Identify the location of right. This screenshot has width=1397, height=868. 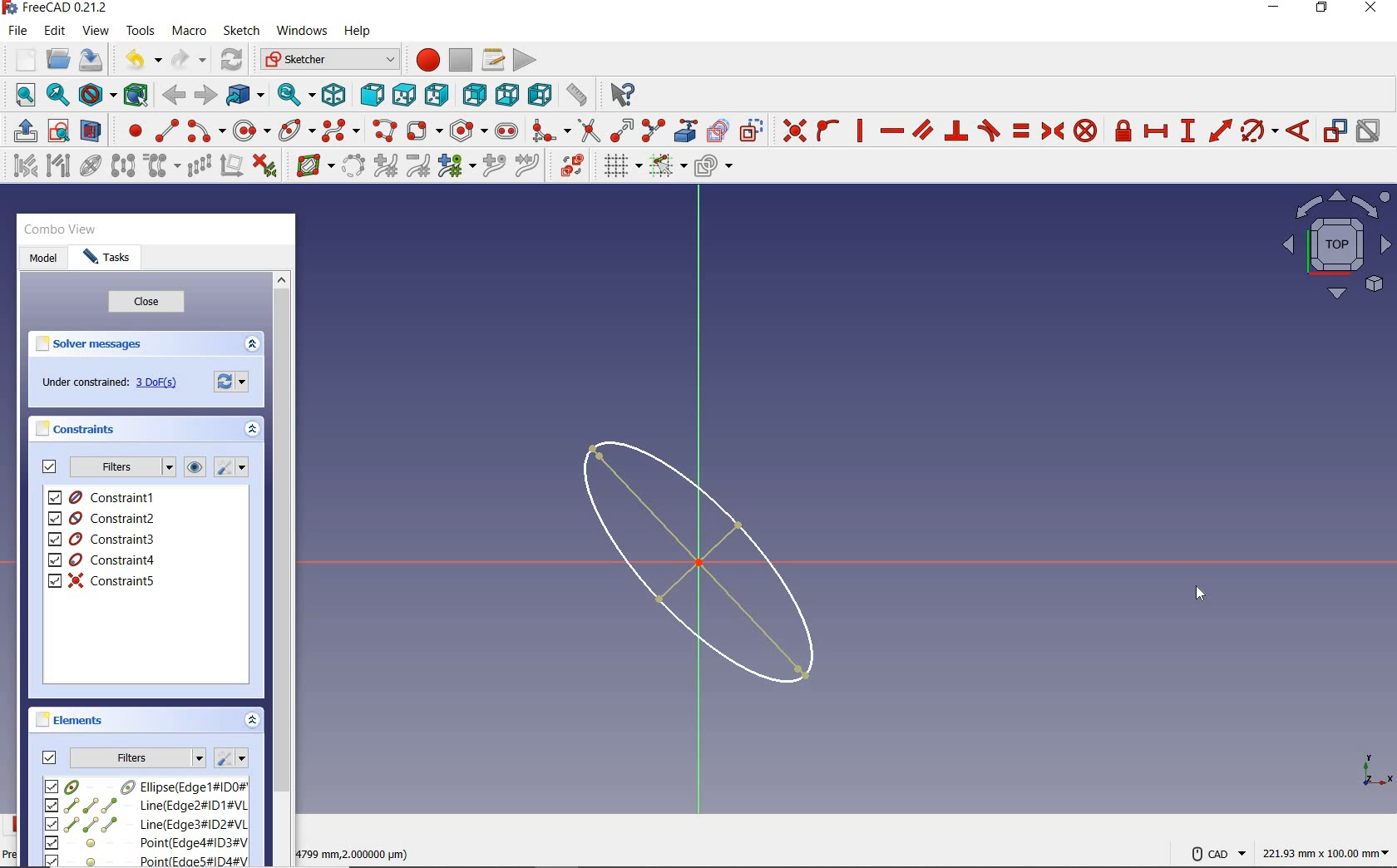
(437, 94).